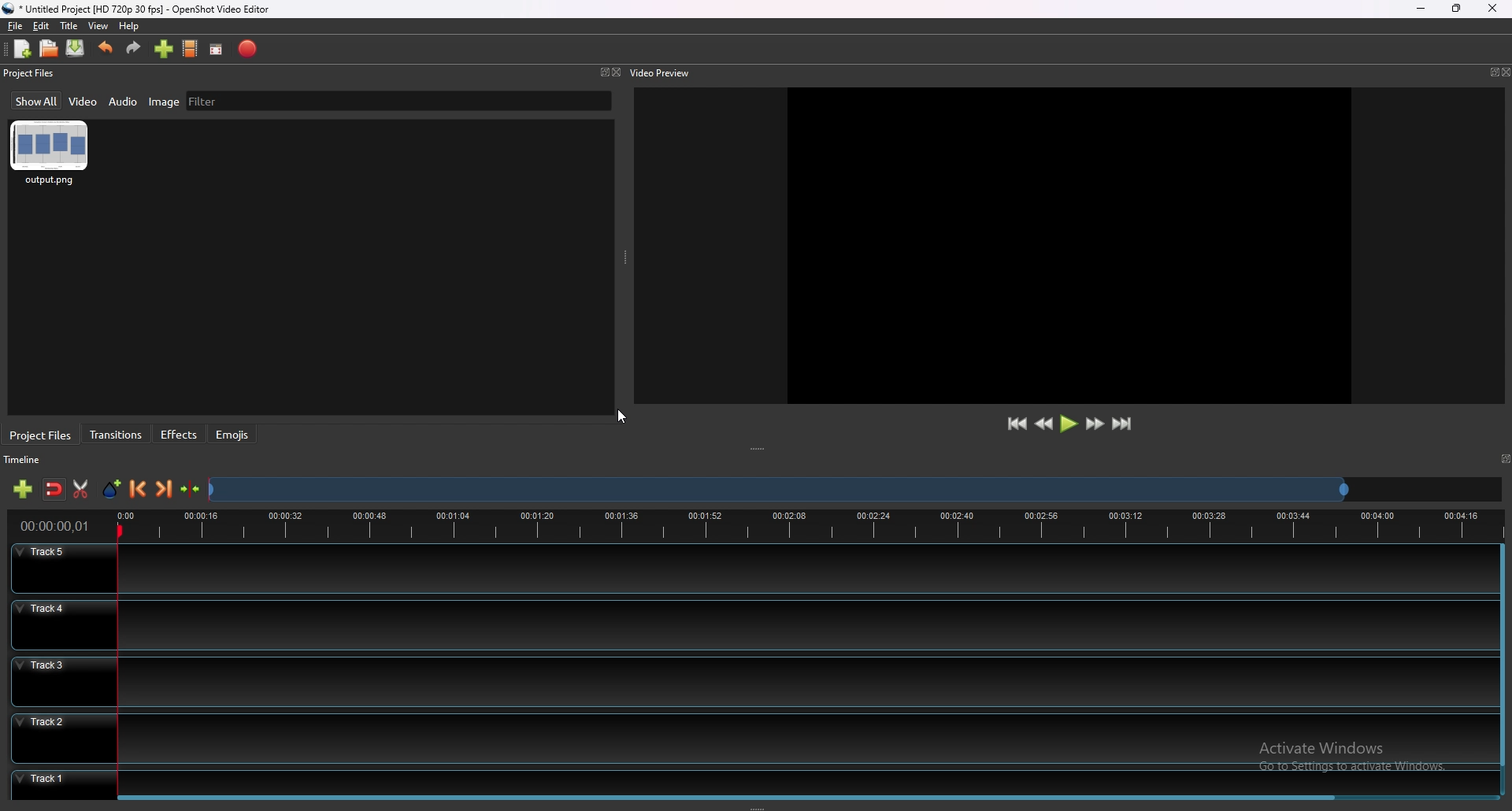 Image resolution: width=1512 pixels, height=811 pixels. What do you see at coordinates (232, 434) in the screenshot?
I see `emojis` at bounding box center [232, 434].